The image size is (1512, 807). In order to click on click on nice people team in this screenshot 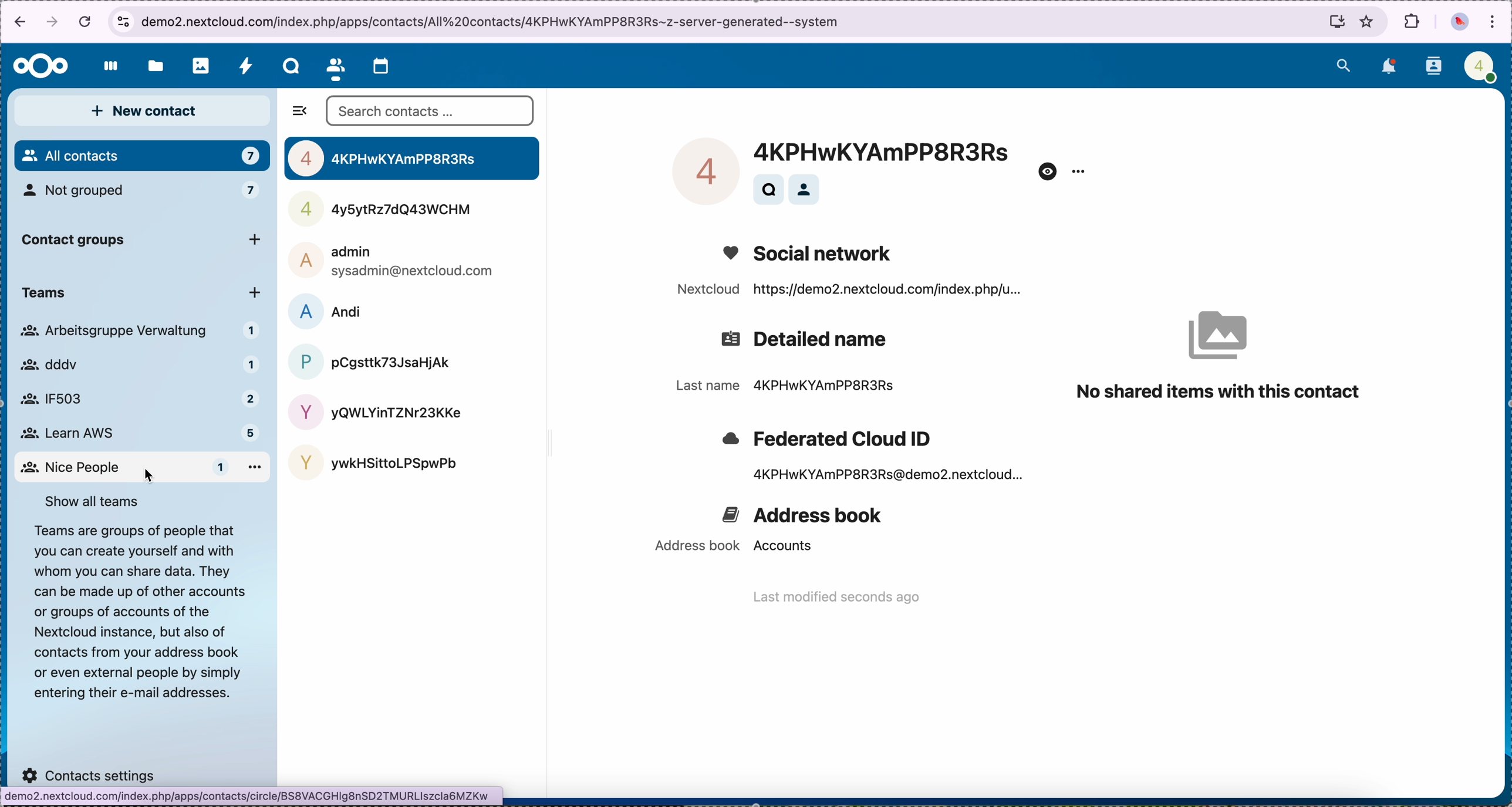, I will do `click(140, 468)`.